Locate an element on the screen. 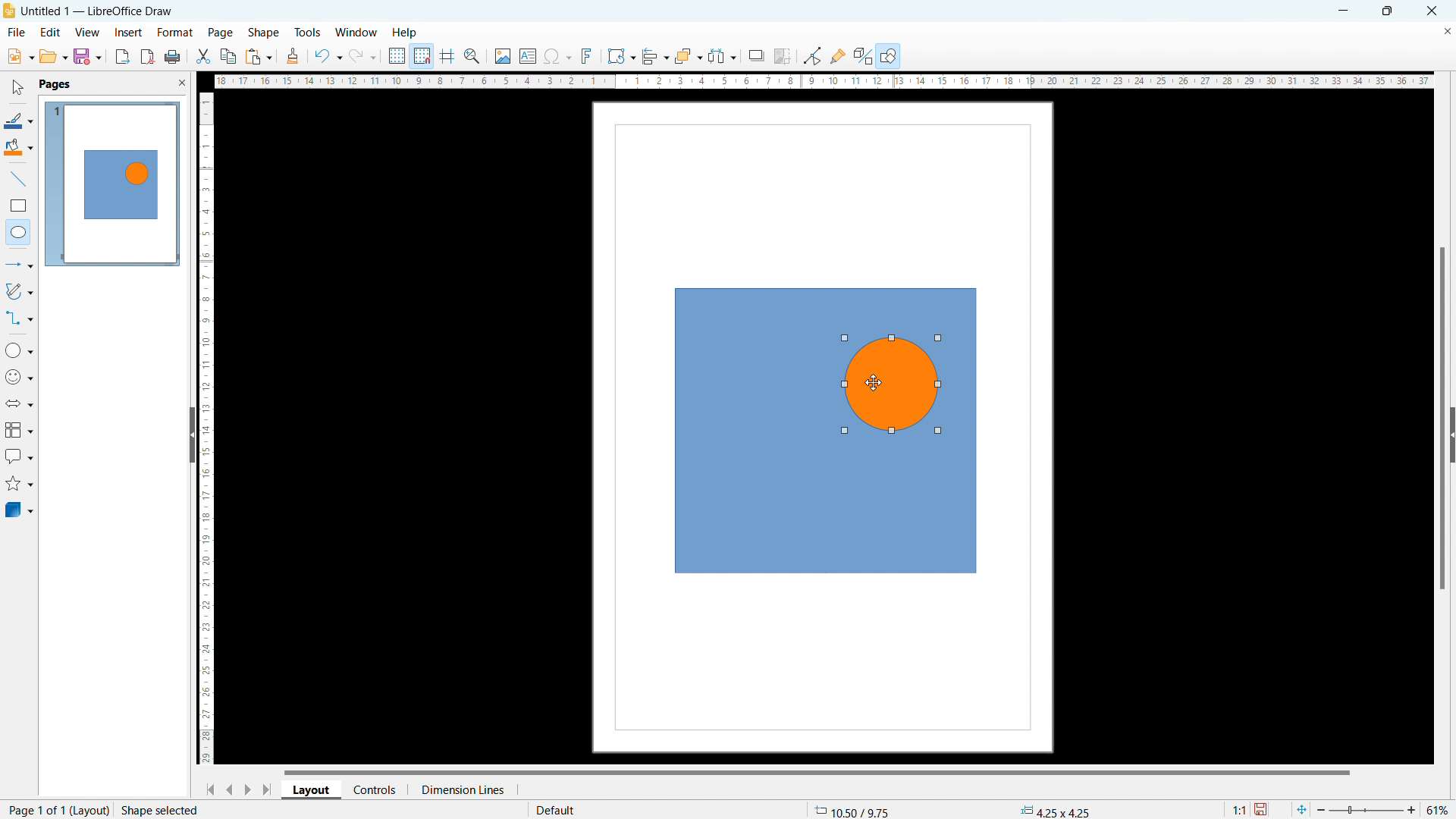  zoom in is located at coordinates (1412, 808).